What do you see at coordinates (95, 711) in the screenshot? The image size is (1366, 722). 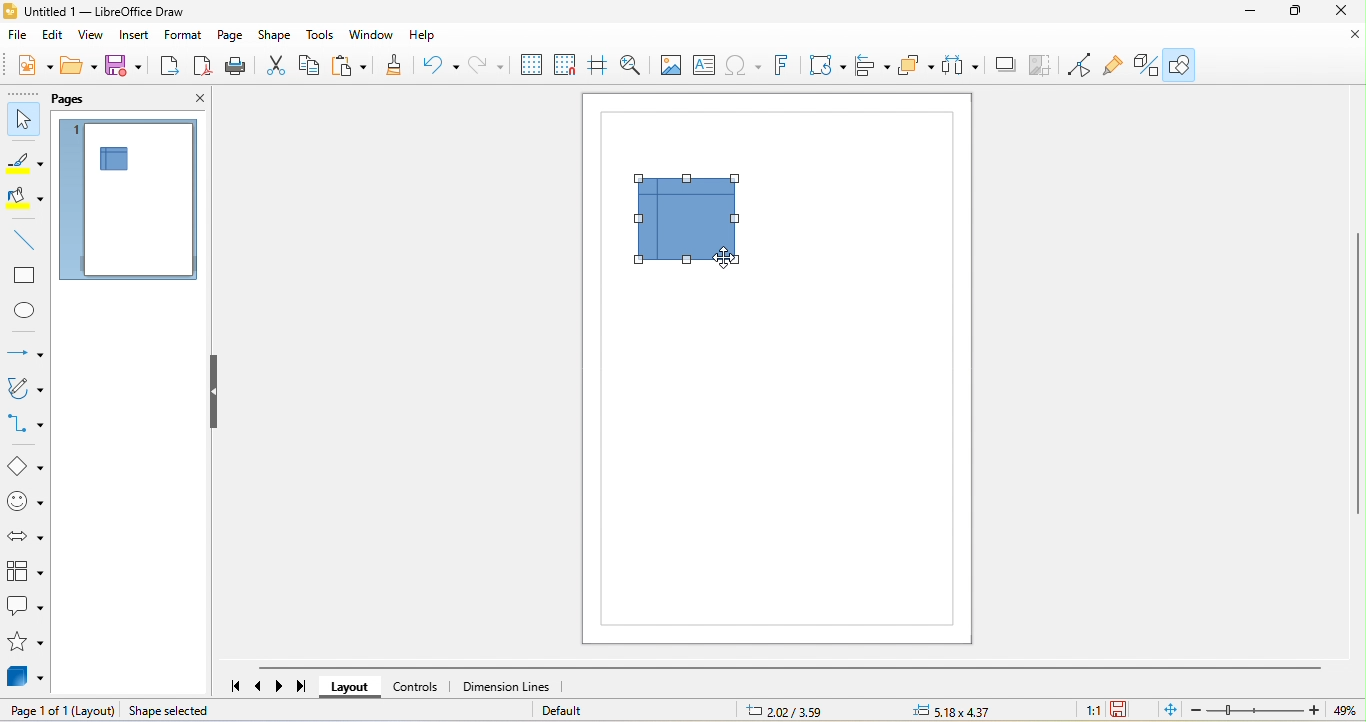 I see `(layout)` at bounding box center [95, 711].